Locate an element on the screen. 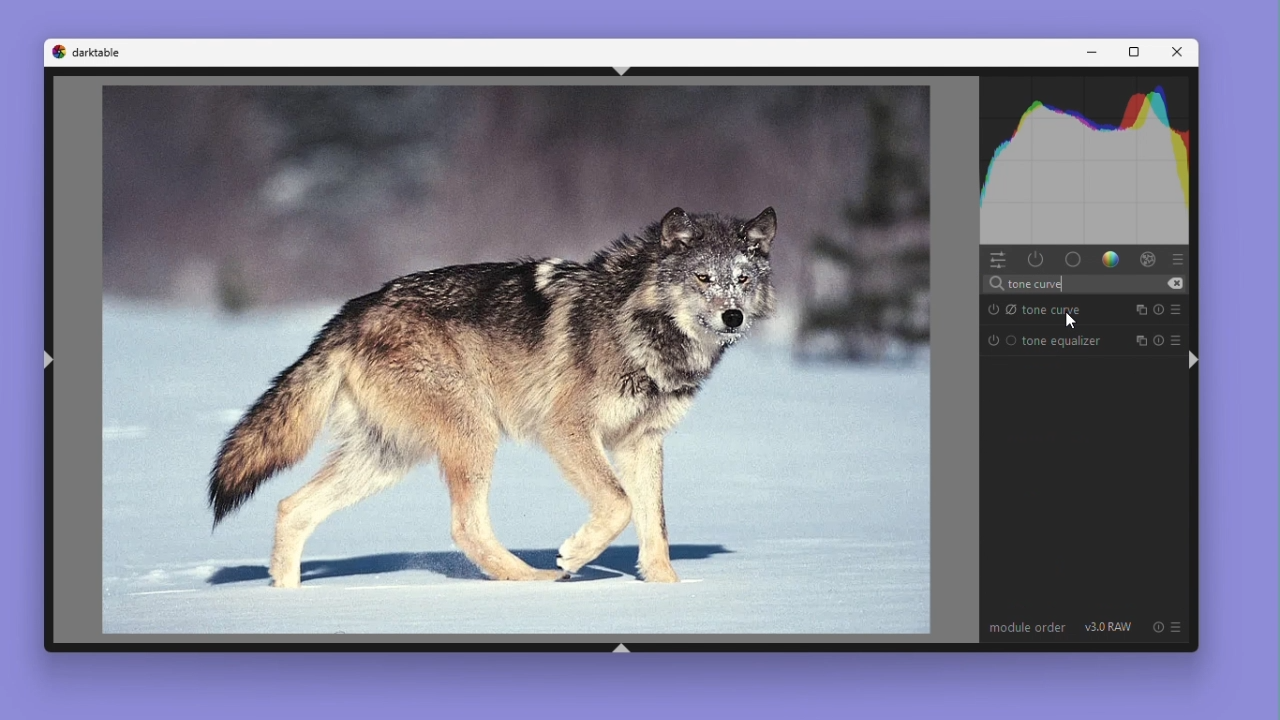 Image resolution: width=1280 pixels, height=720 pixels. Dark table logo is located at coordinates (87, 52).